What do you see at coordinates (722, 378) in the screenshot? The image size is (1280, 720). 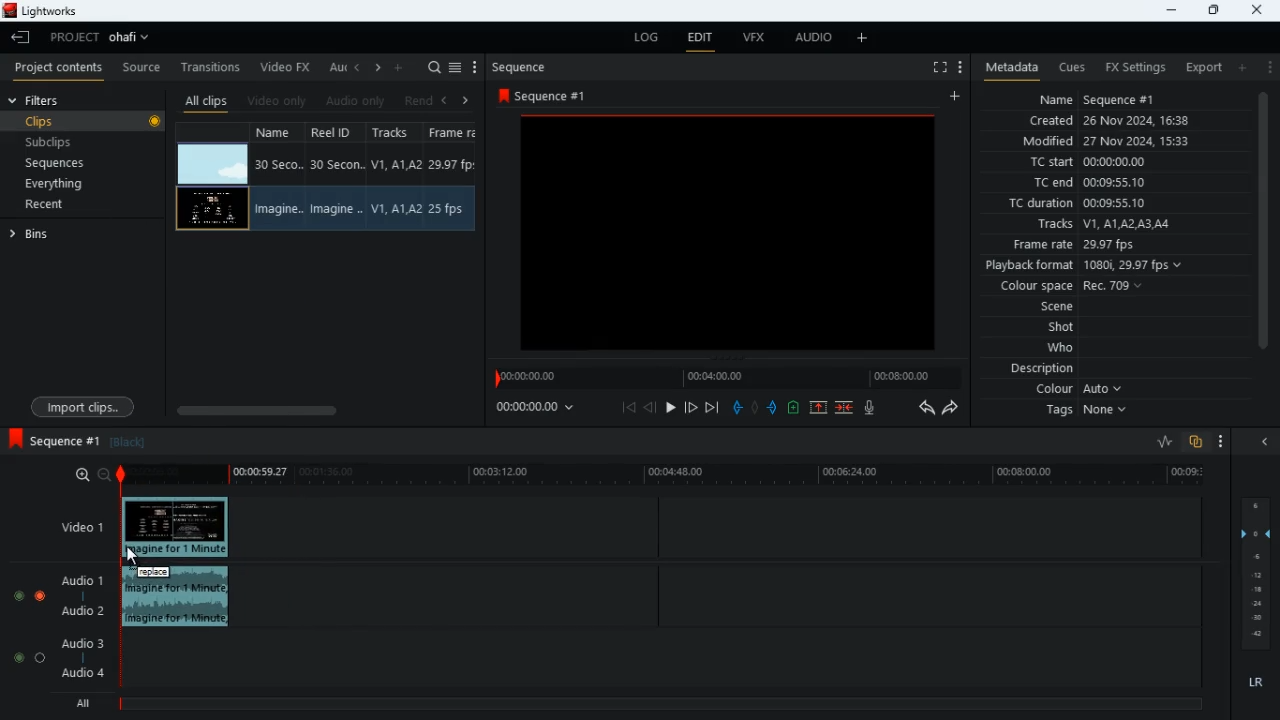 I see `timeline` at bounding box center [722, 378].